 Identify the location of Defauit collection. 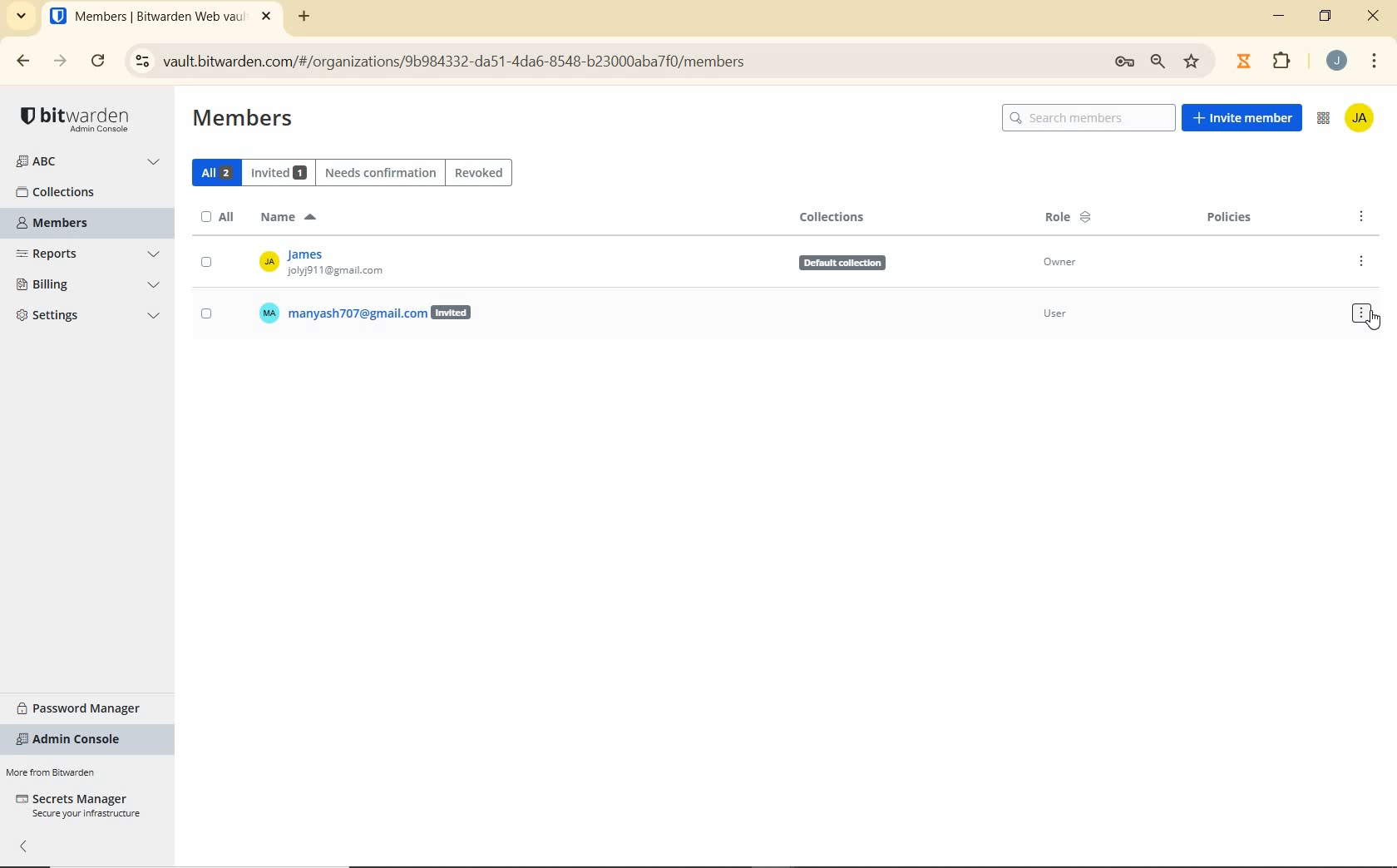
(835, 264).